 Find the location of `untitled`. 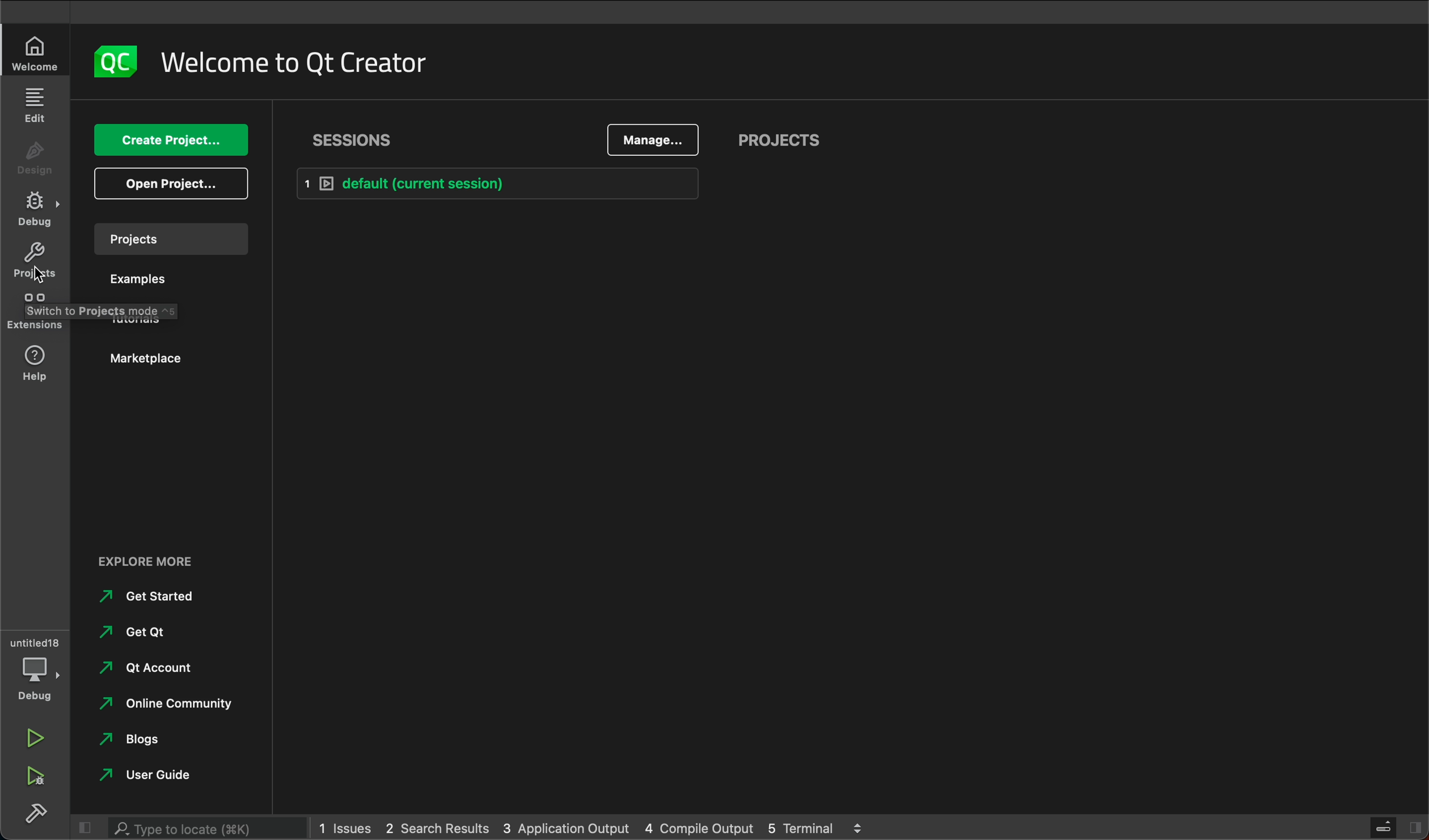

untitled is located at coordinates (32, 641).